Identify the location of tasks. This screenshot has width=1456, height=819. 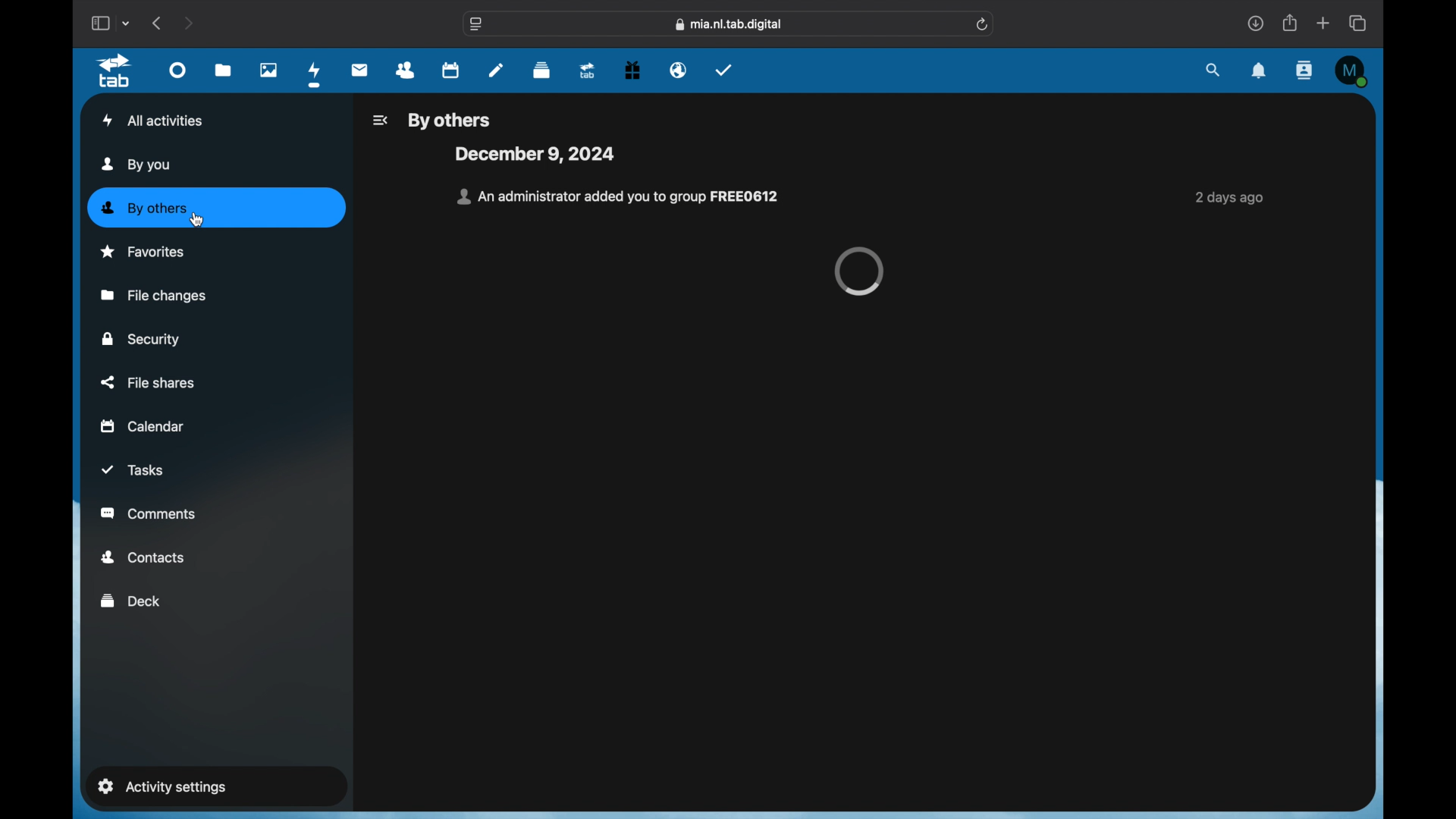
(133, 470).